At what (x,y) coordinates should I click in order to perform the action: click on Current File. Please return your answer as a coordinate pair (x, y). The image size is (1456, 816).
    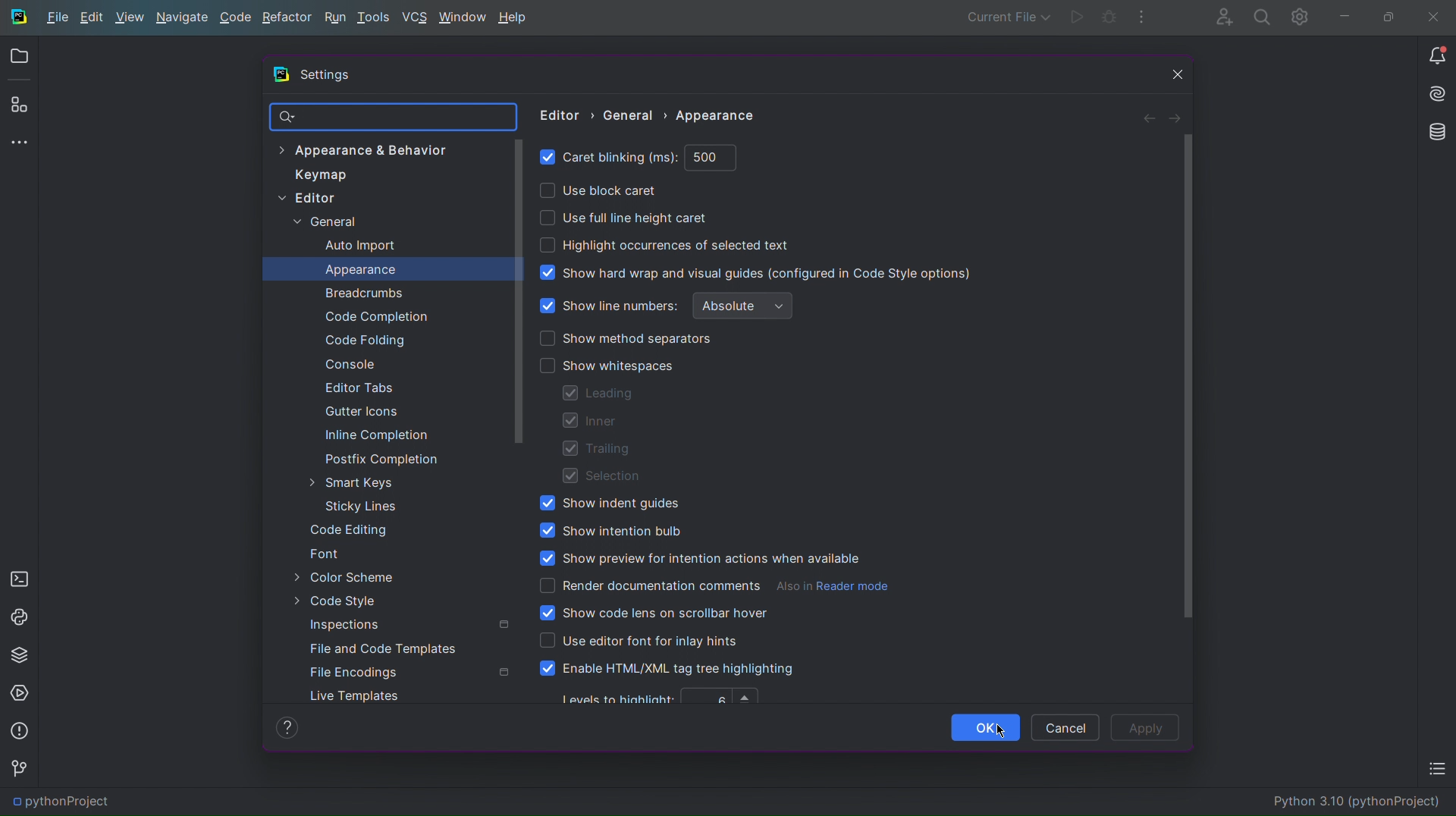
    Looking at the image, I should click on (1006, 17).